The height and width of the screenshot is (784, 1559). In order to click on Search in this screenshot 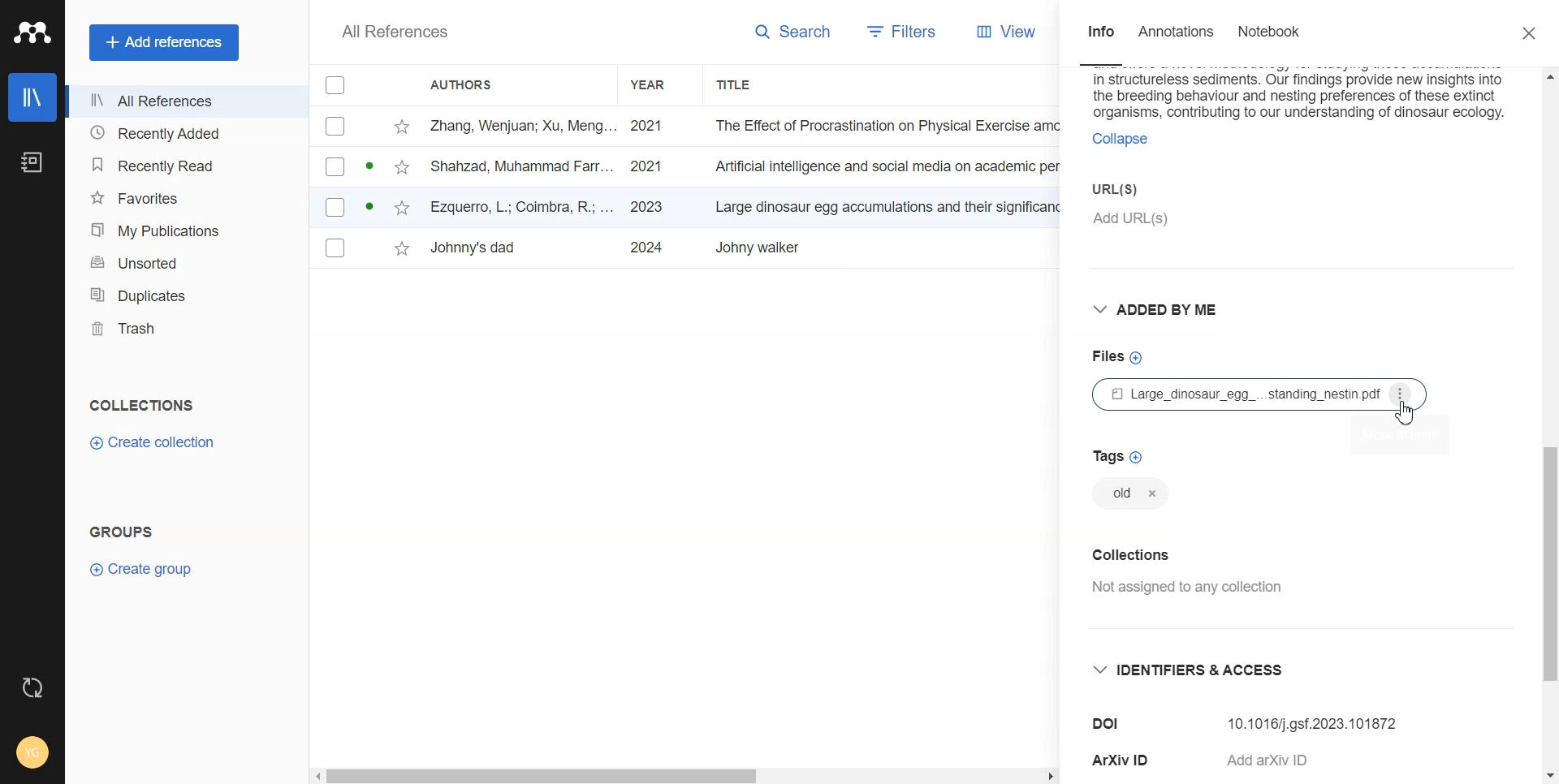, I will do `click(796, 33)`.